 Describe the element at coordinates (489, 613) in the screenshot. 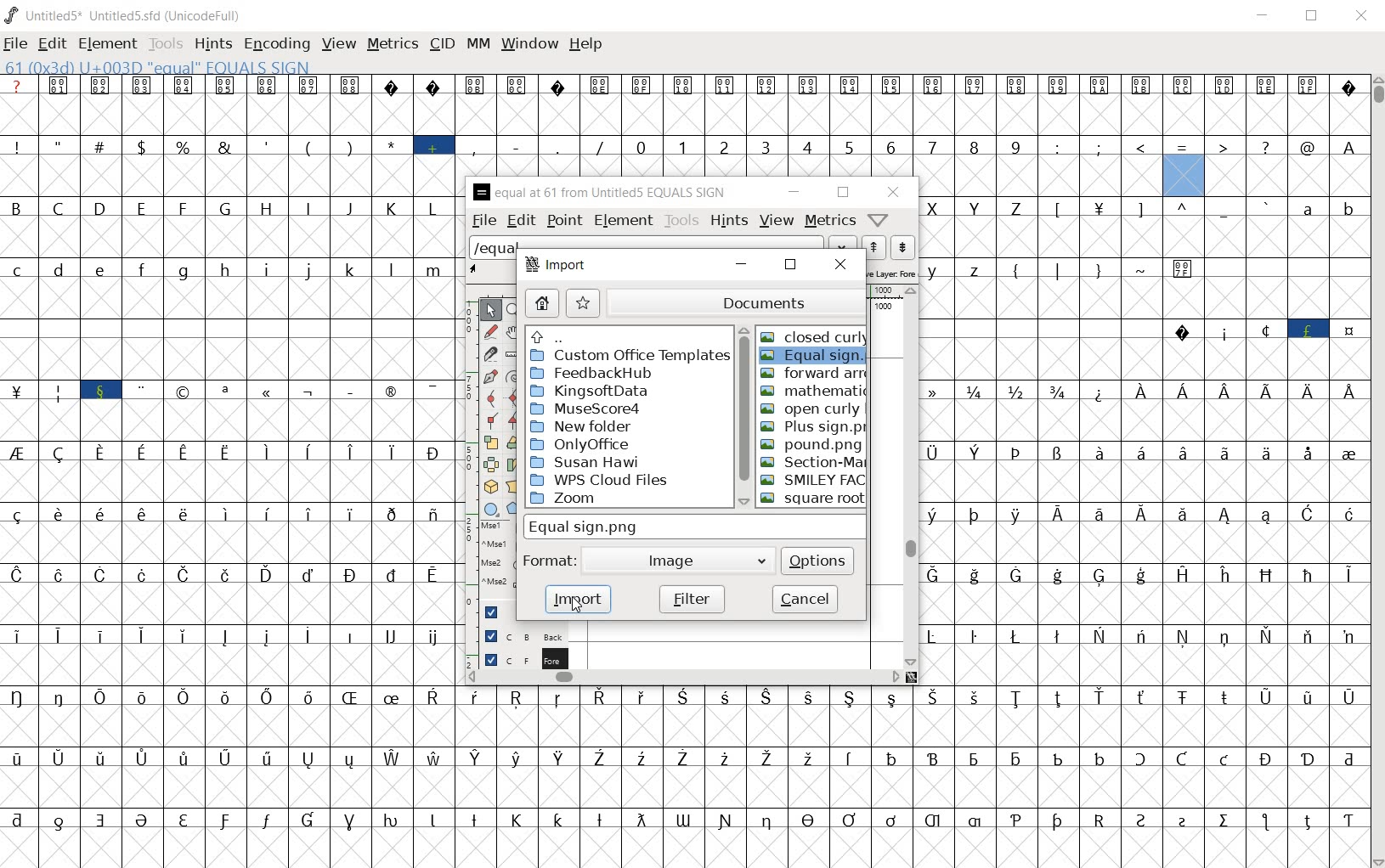

I see `Guide` at that location.